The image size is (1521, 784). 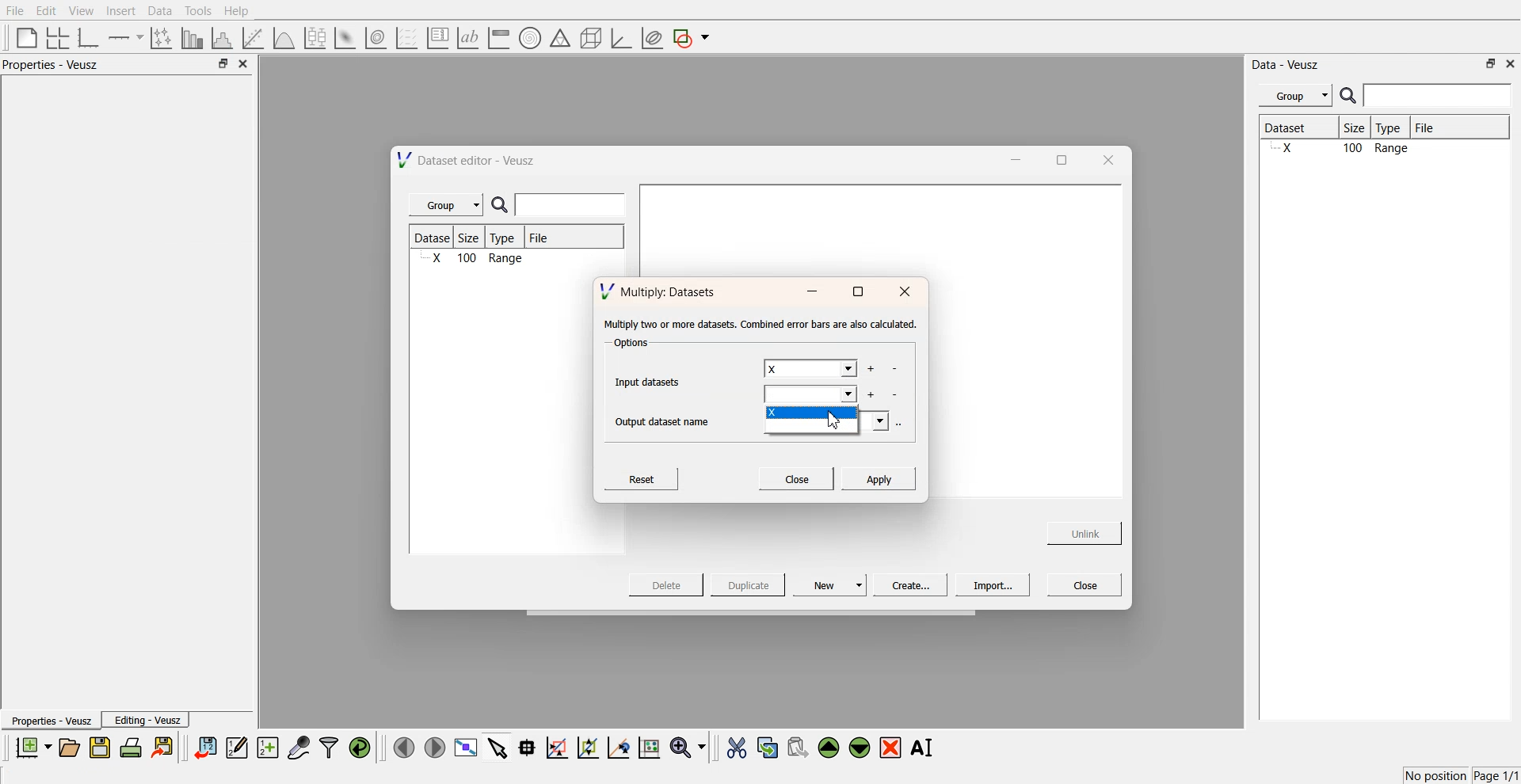 What do you see at coordinates (860, 746) in the screenshot?
I see `move  the selected widgets down` at bounding box center [860, 746].